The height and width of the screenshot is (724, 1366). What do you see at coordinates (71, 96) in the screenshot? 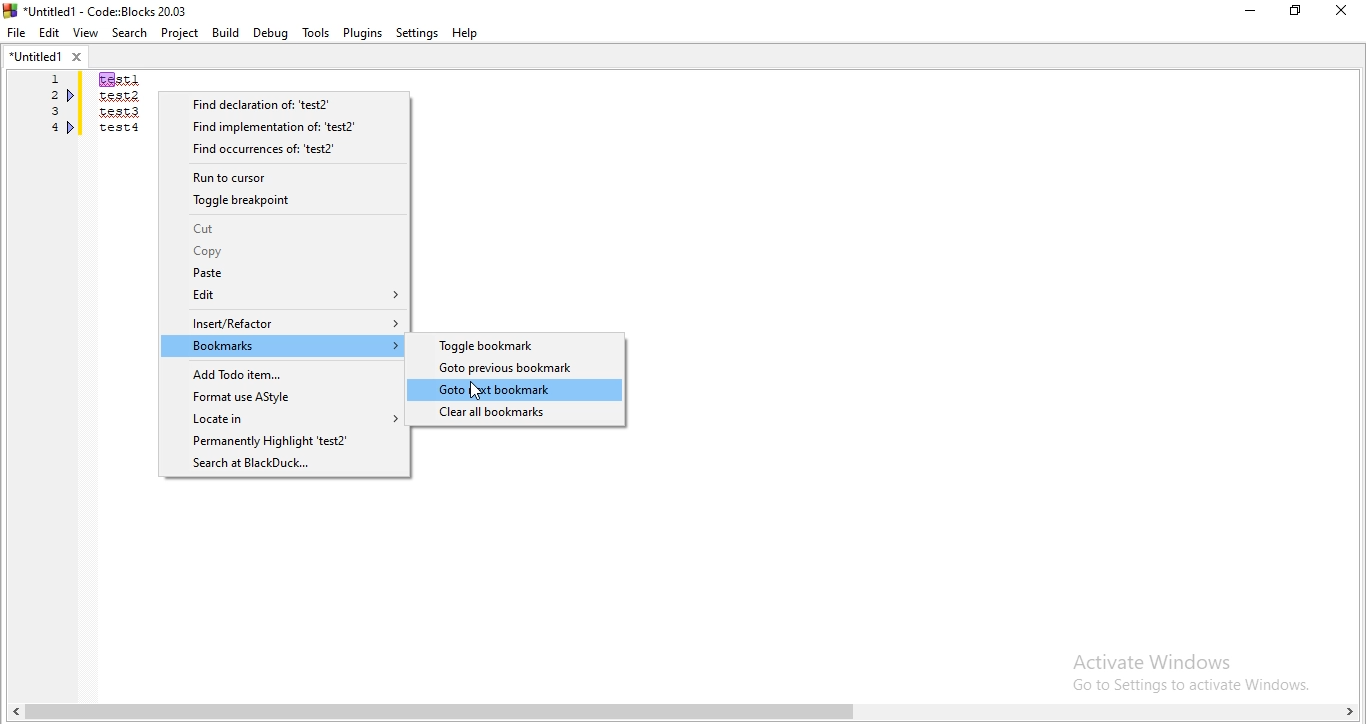
I see `bookmarks` at bounding box center [71, 96].